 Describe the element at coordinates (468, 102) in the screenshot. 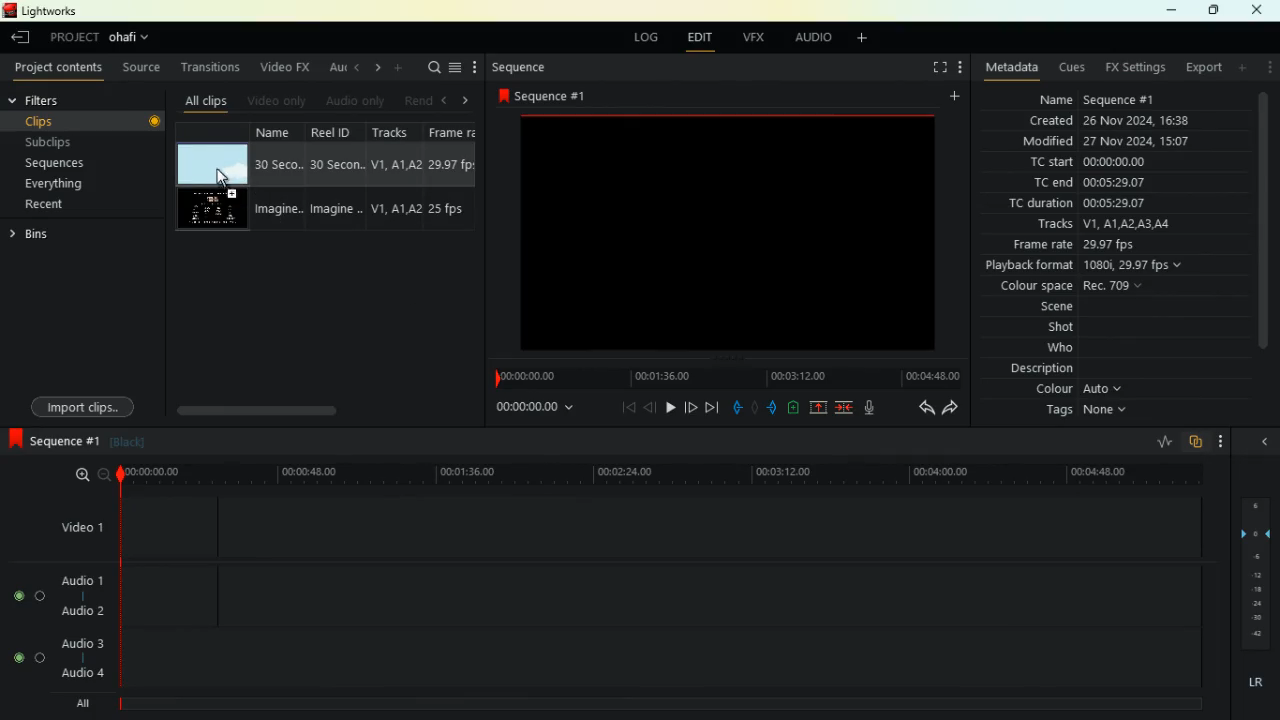

I see `right` at that location.